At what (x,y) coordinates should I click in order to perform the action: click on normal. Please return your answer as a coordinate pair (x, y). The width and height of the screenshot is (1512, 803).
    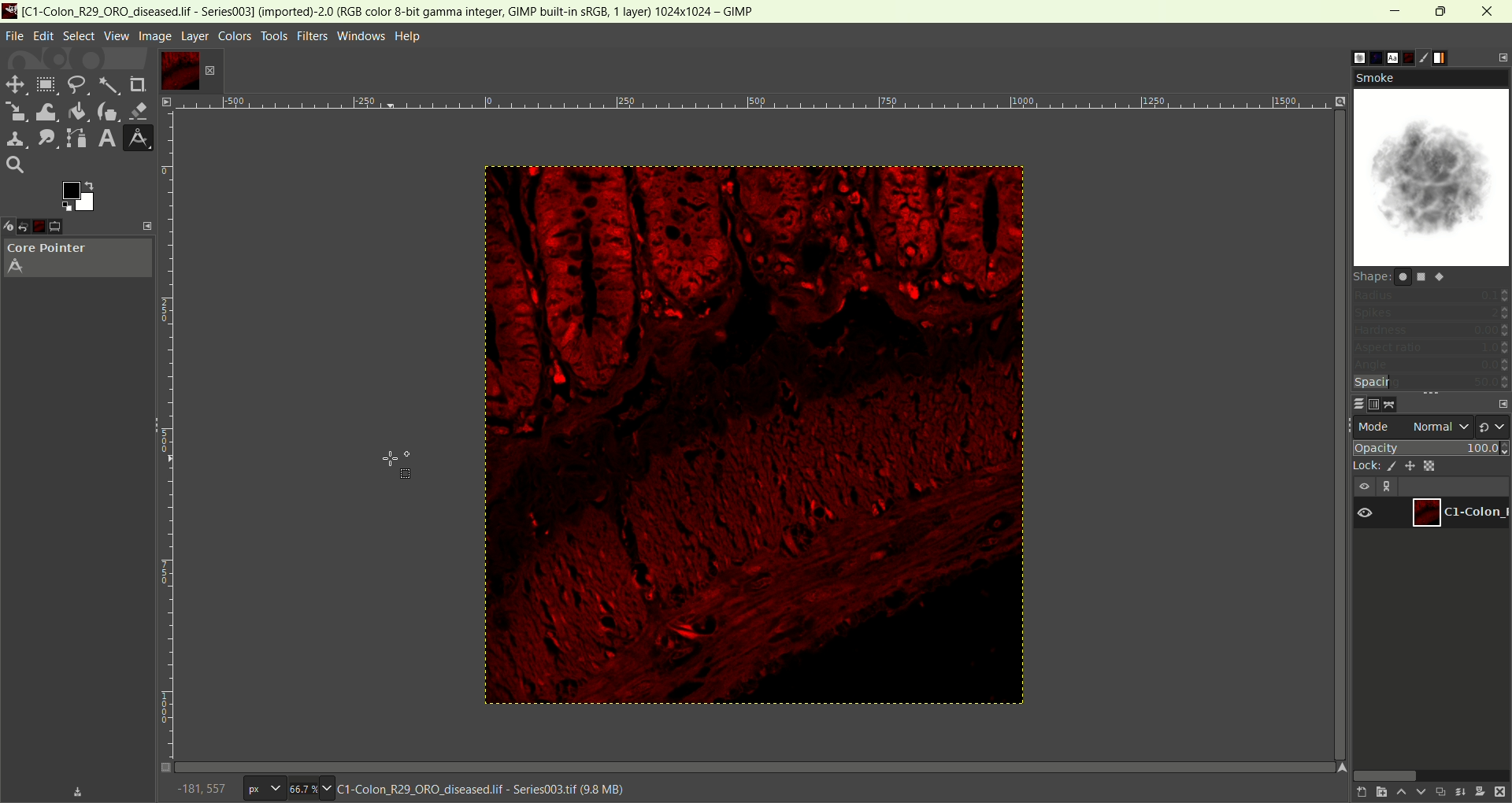
    Looking at the image, I should click on (1440, 426).